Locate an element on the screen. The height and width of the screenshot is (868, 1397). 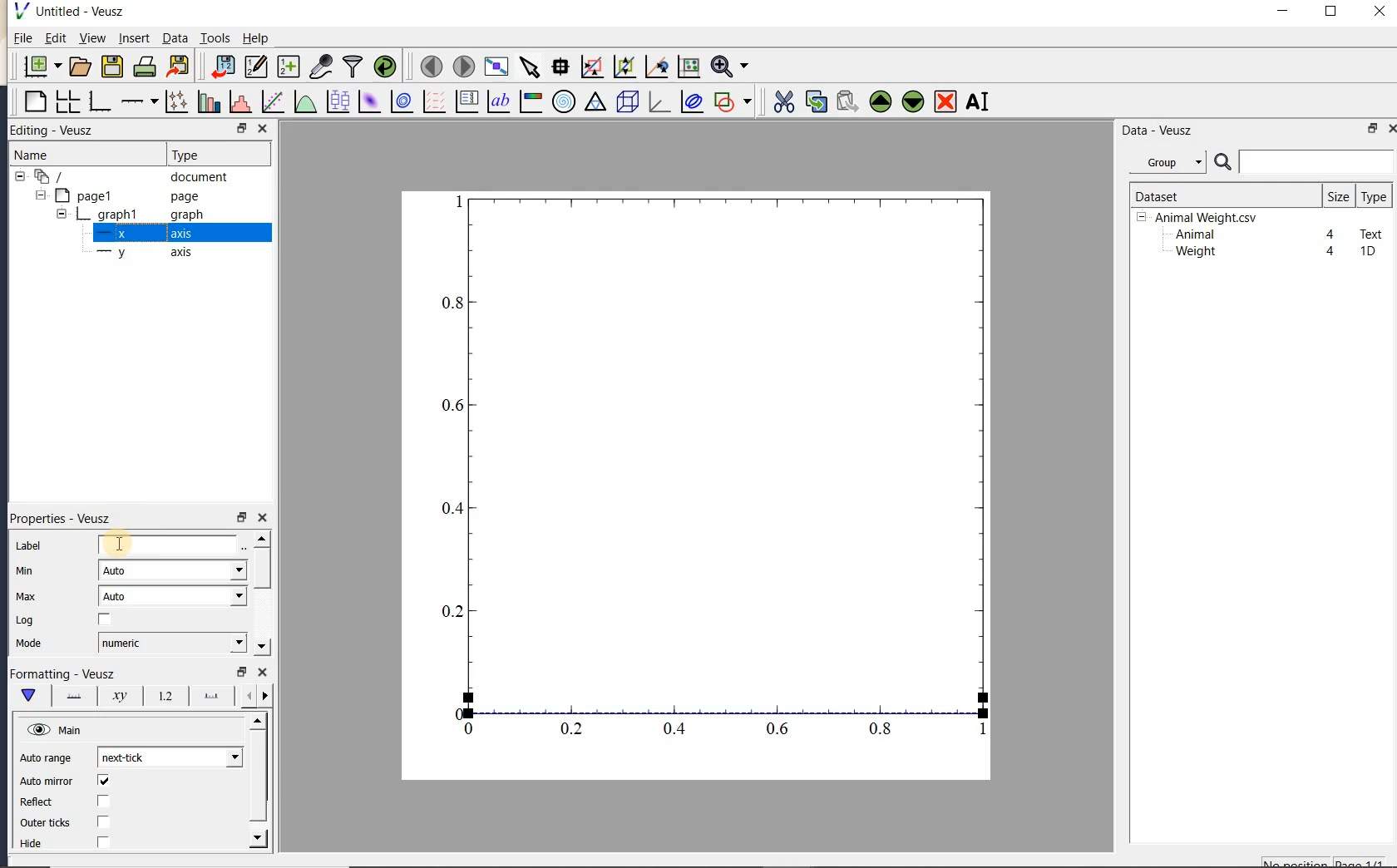
edit and enter new datasets is located at coordinates (255, 67).